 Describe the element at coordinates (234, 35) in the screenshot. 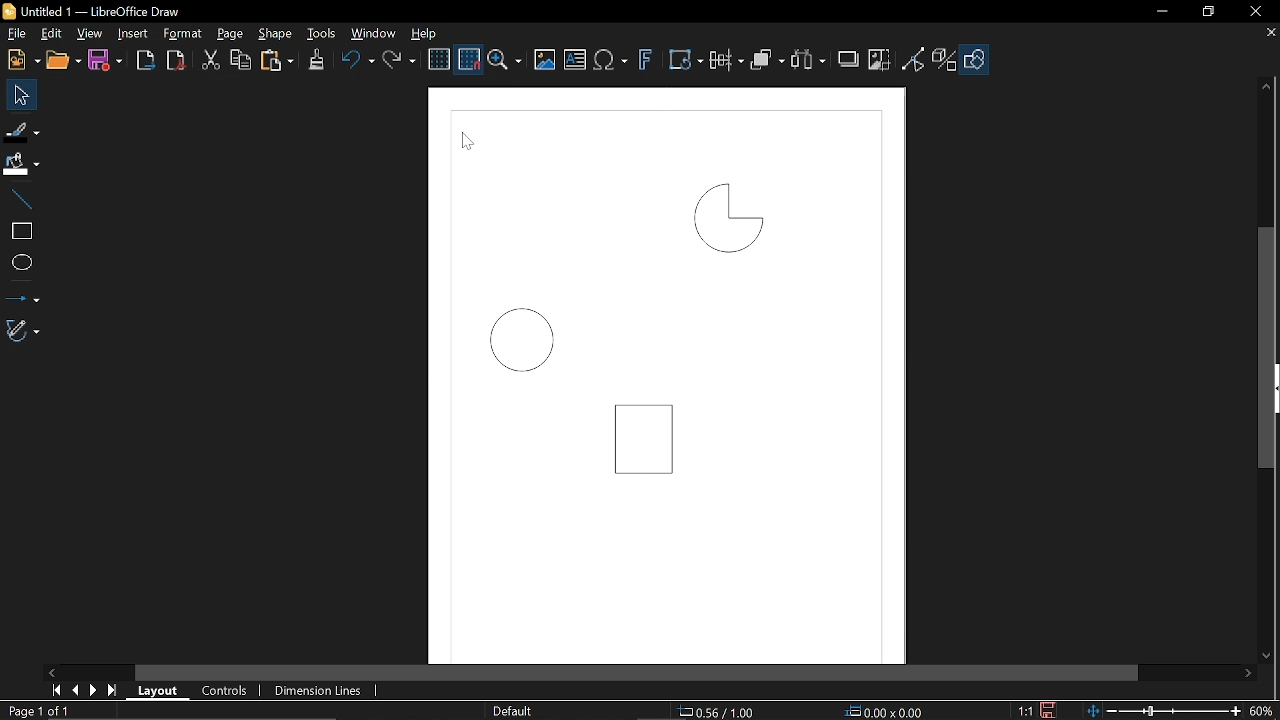

I see `page` at that location.